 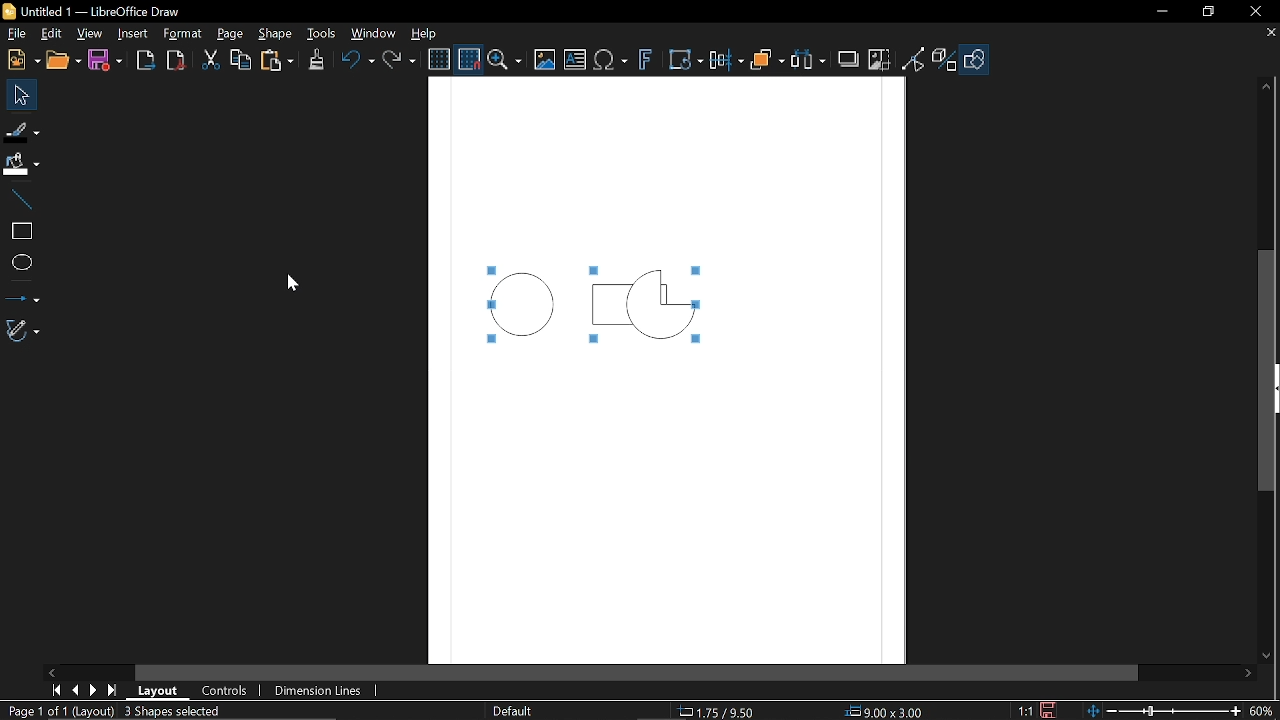 I want to click on 9.00x3.00 (object Size), so click(x=890, y=711).